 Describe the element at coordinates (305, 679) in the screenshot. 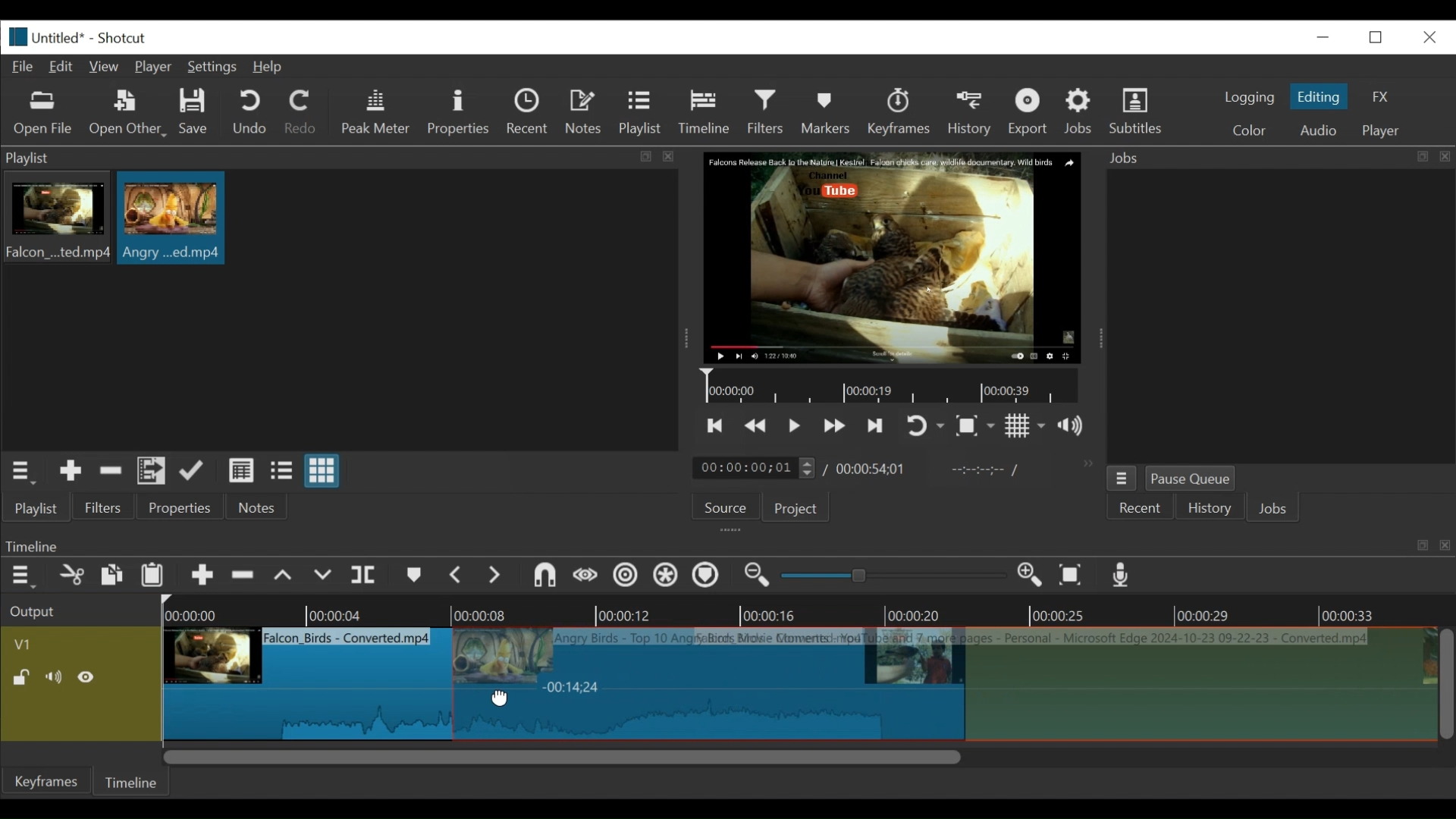

I see `clip` at that location.